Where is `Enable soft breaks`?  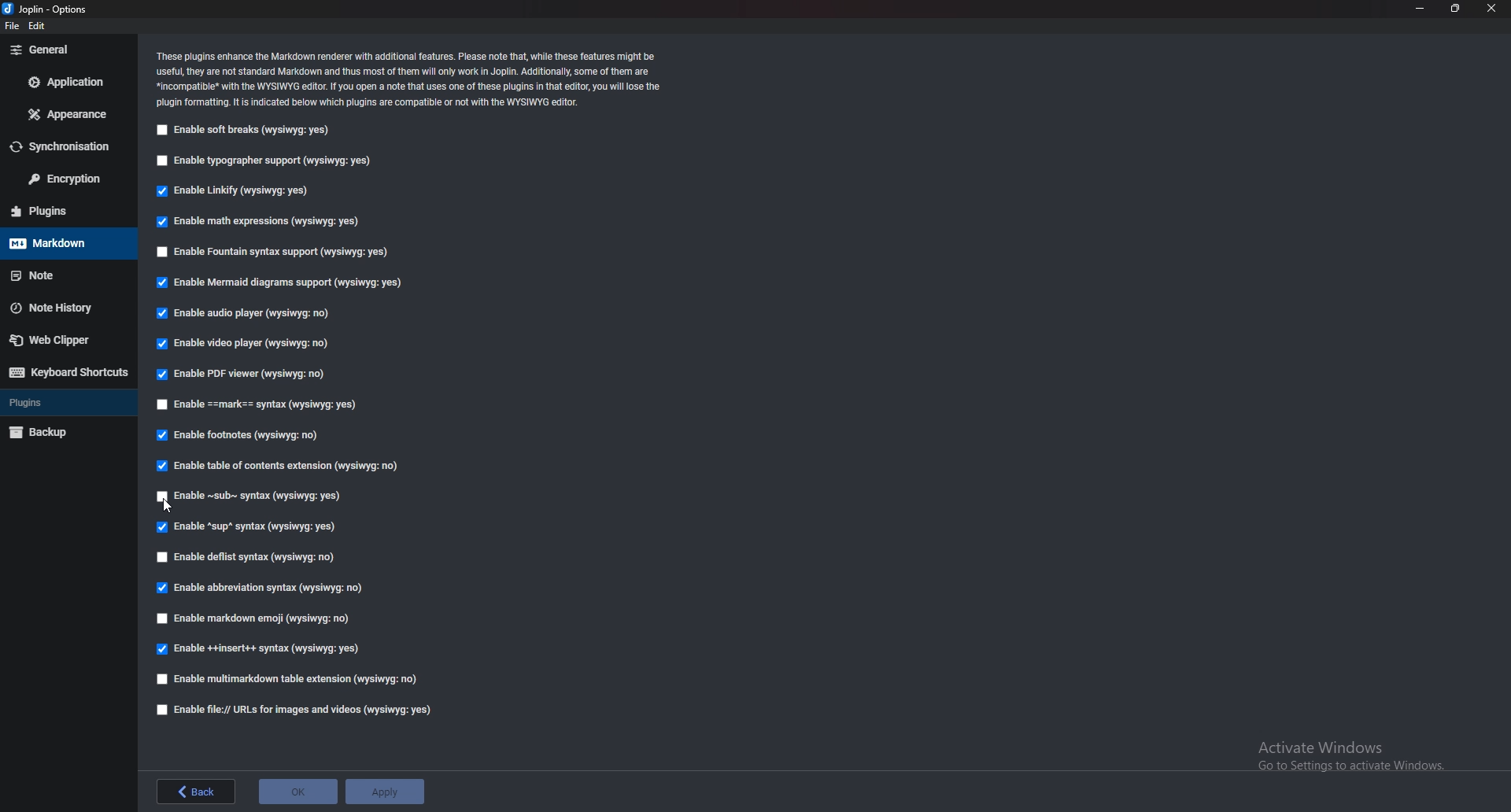
Enable soft breaks is located at coordinates (245, 129).